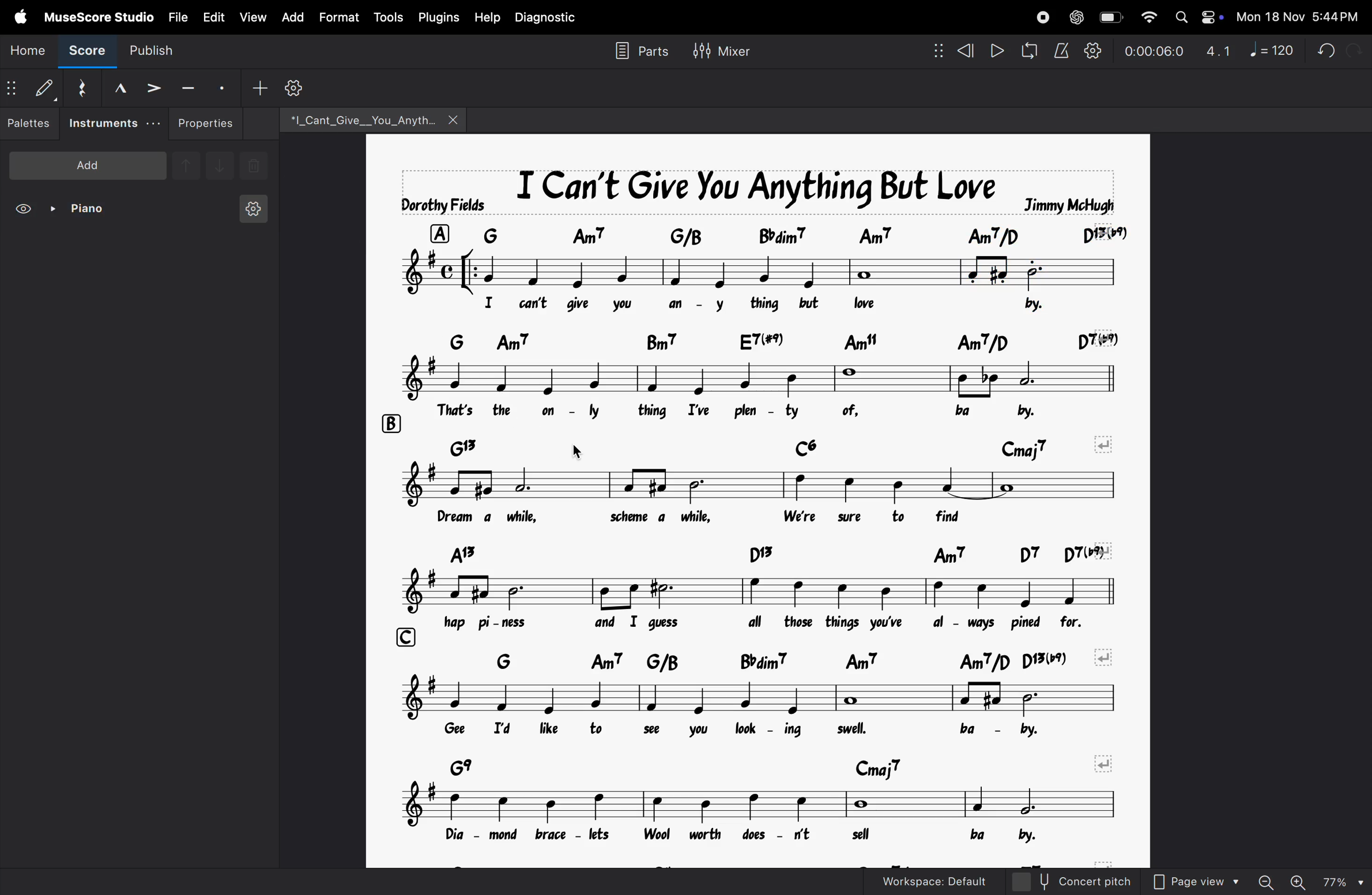 The height and width of the screenshot is (895, 1372). What do you see at coordinates (783, 411) in the screenshot?
I see `lyrics` at bounding box center [783, 411].